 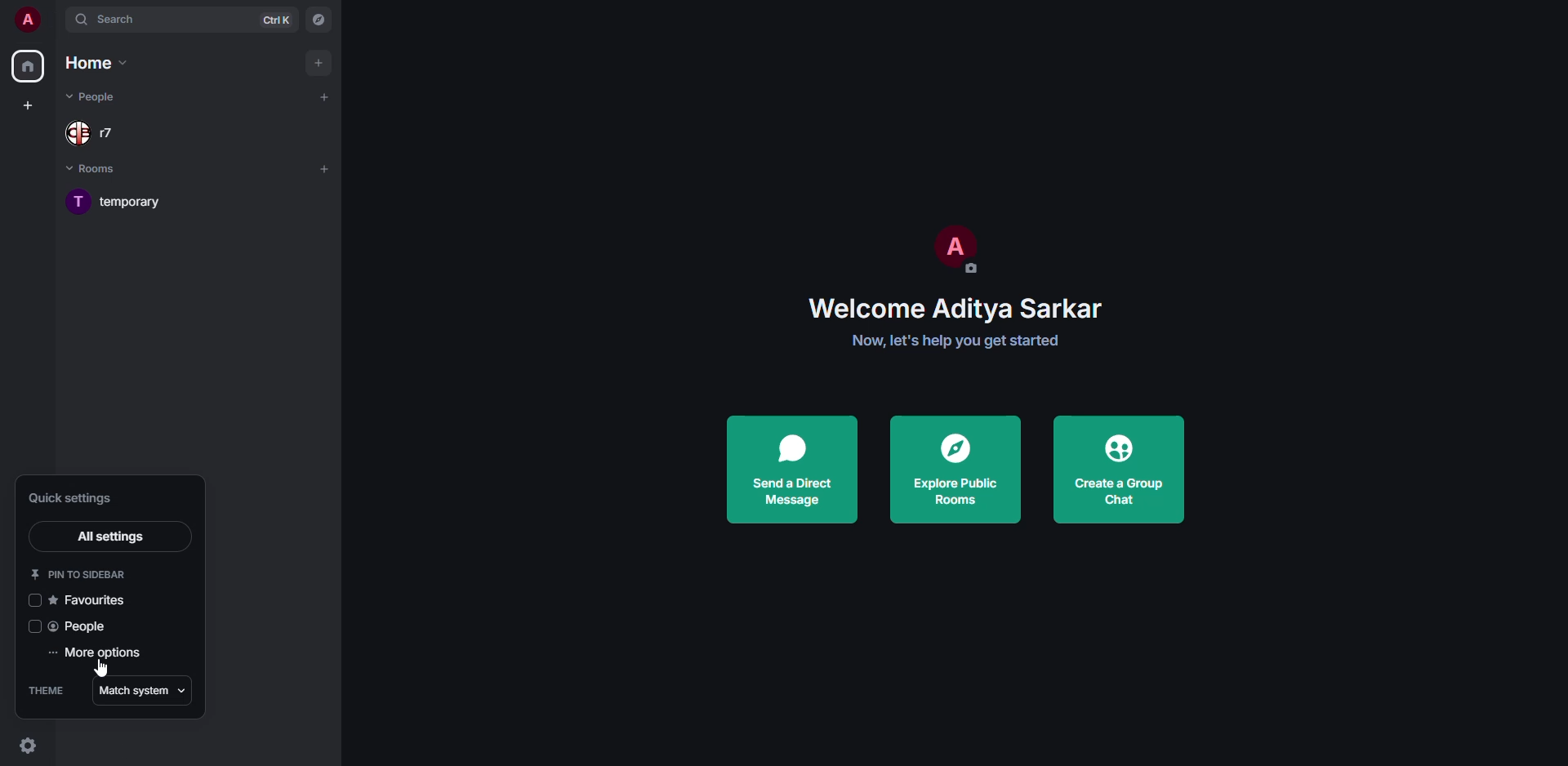 I want to click on profile, so click(x=26, y=19).